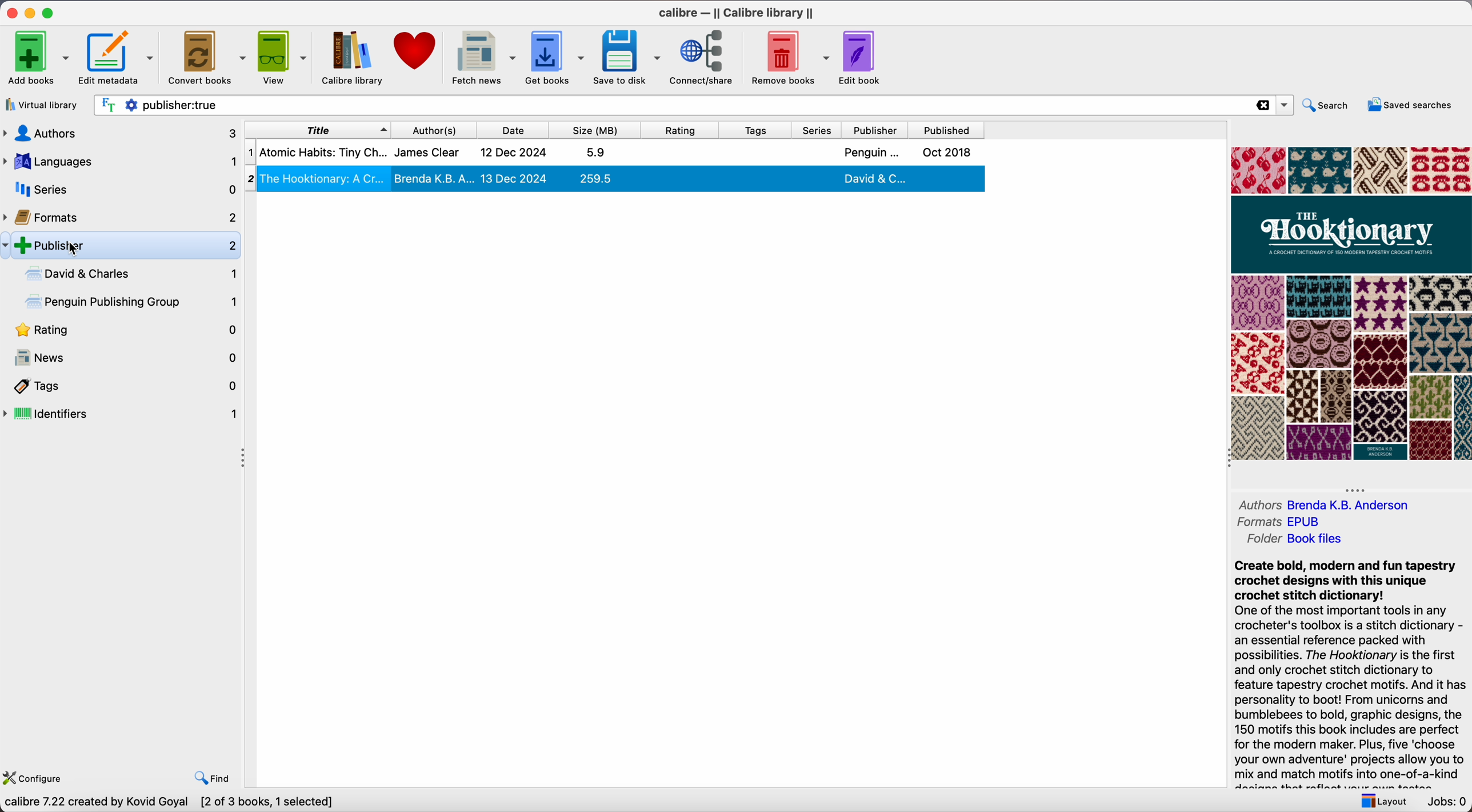  I want to click on edit book, so click(864, 57).